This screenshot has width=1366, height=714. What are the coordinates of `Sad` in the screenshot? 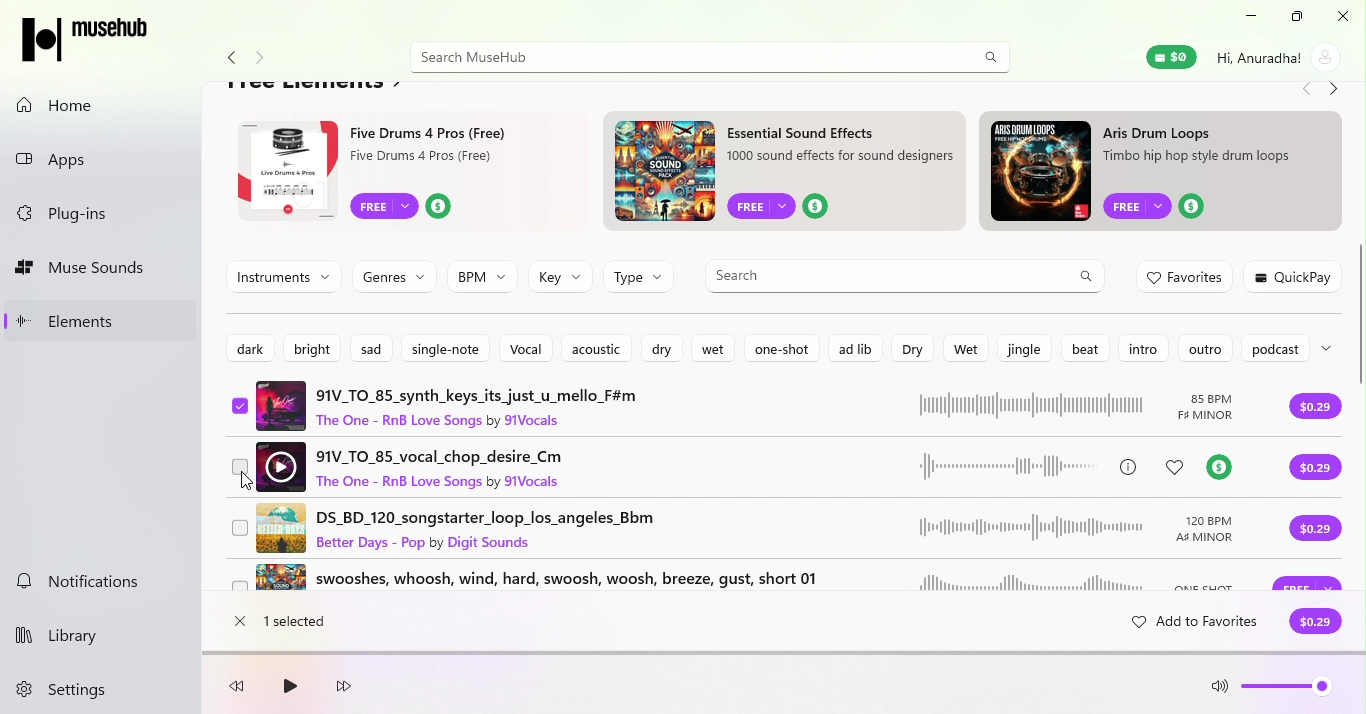 It's located at (375, 346).